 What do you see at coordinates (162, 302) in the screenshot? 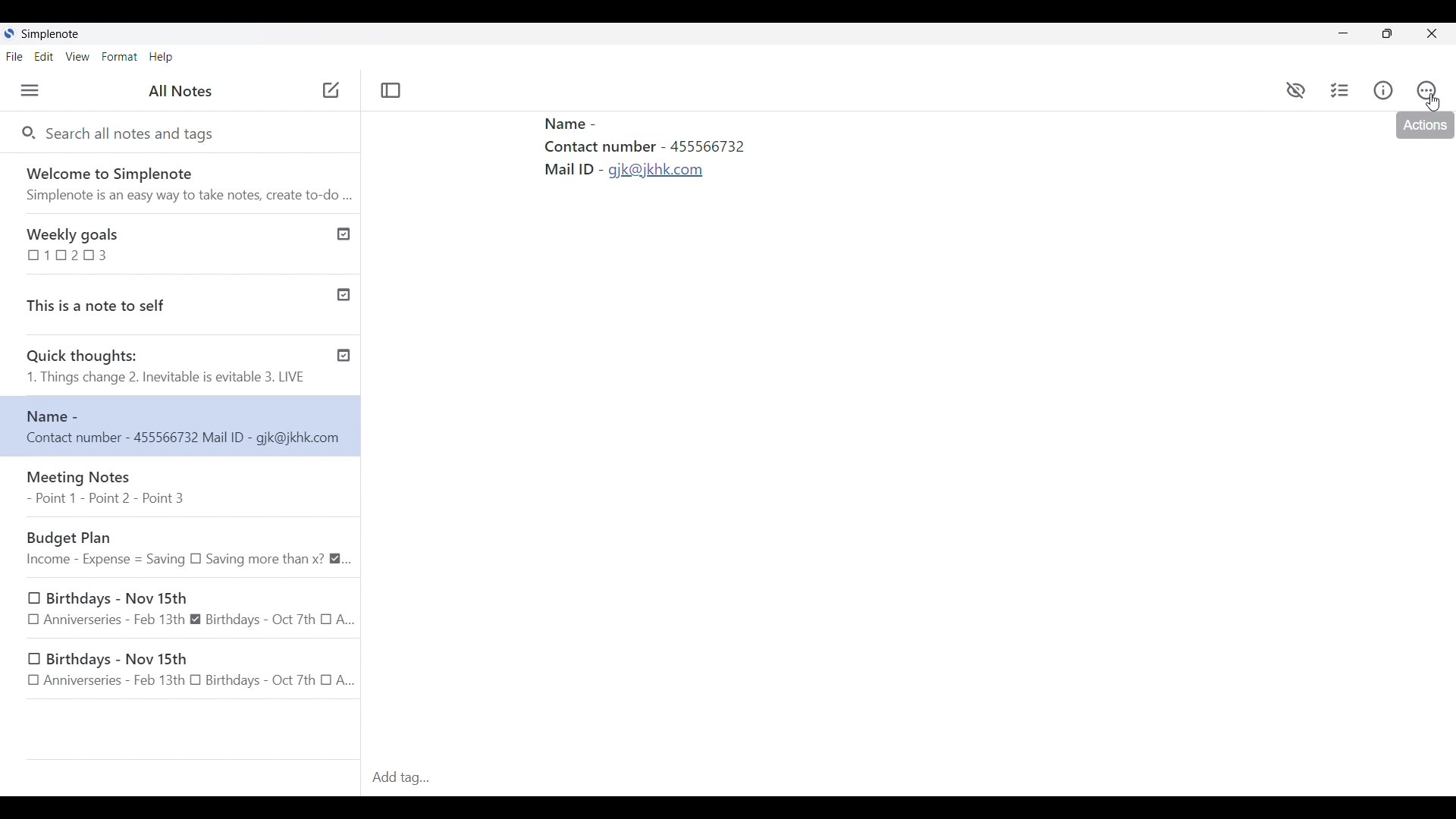
I see `This is a note to self` at bounding box center [162, 302].